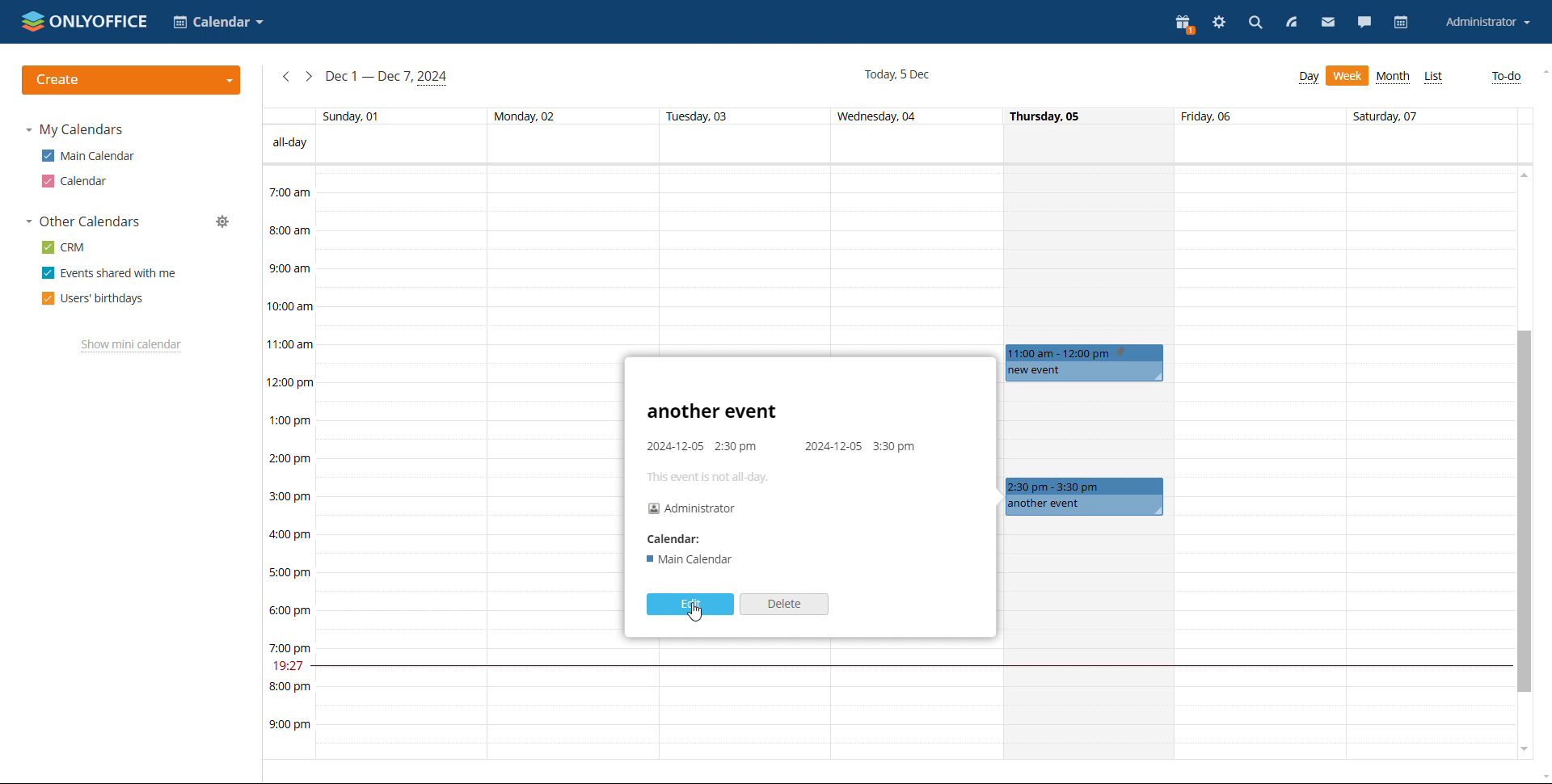 Image resolution: width=1552 pixels, height=784 pixels. I want to click on Wednesday 04, so click(883, 116).